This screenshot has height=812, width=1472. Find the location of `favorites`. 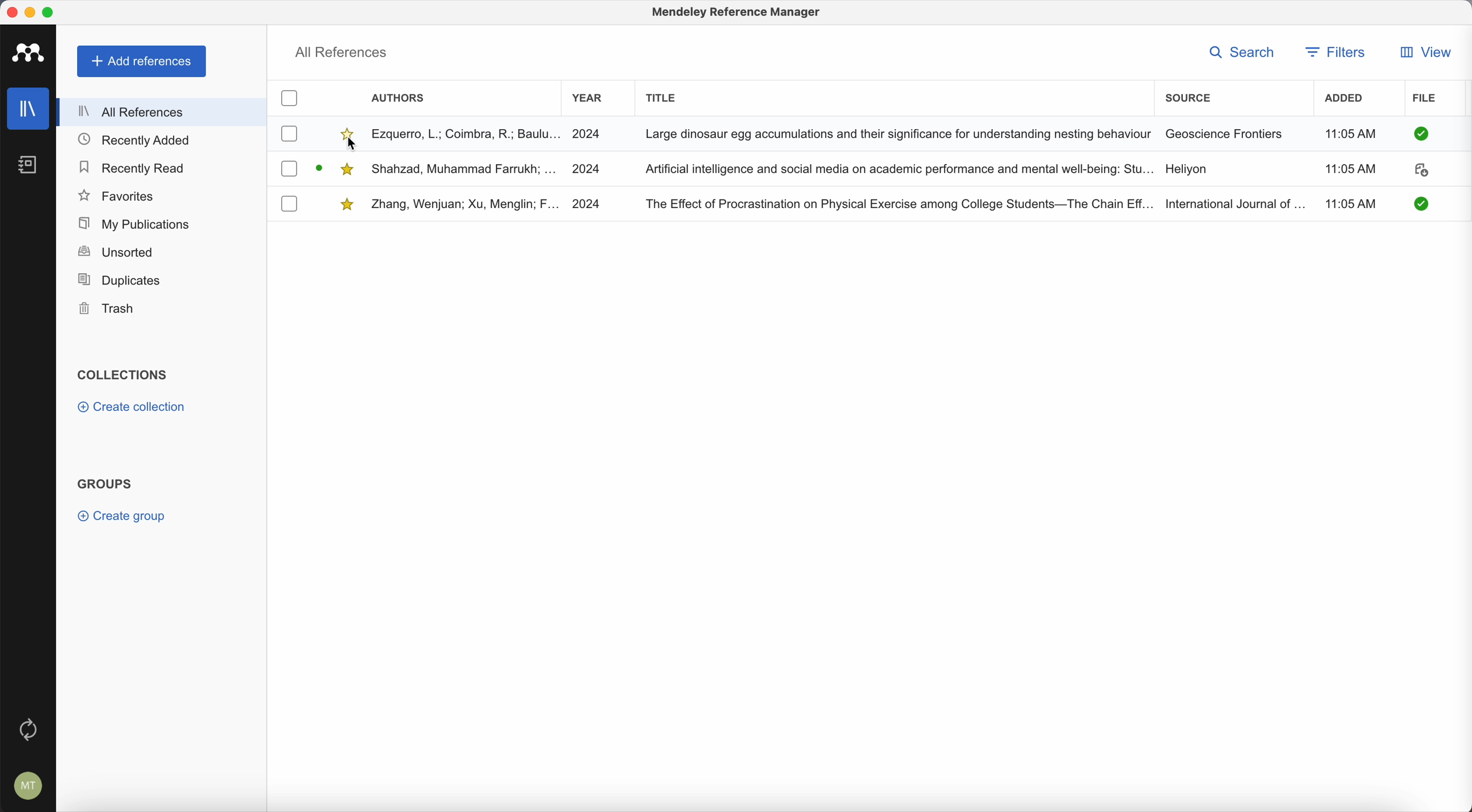

favorites is located at coordinates (118, 195).